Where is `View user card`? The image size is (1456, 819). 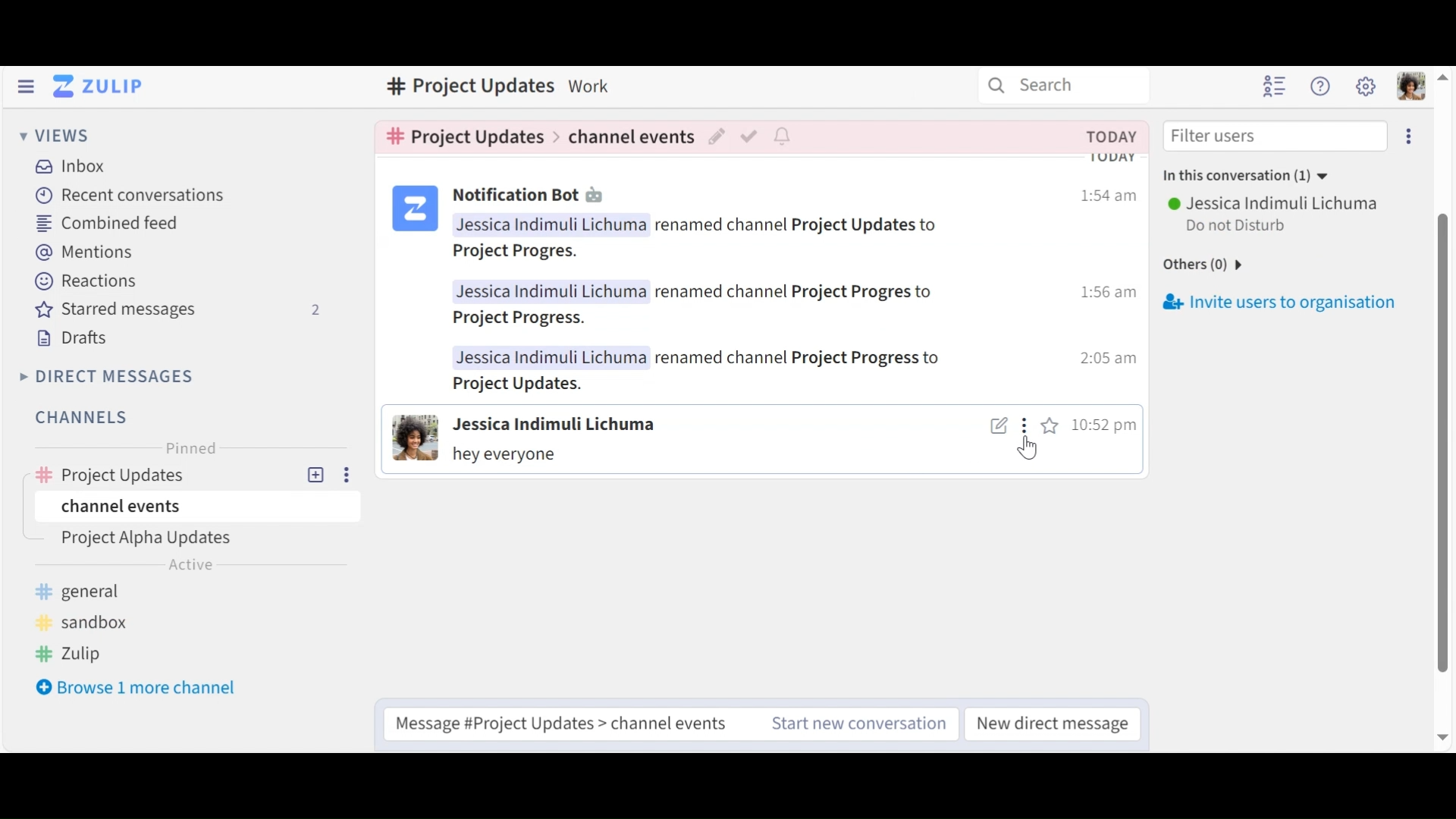 View user card is located at coordinates (557, 424).